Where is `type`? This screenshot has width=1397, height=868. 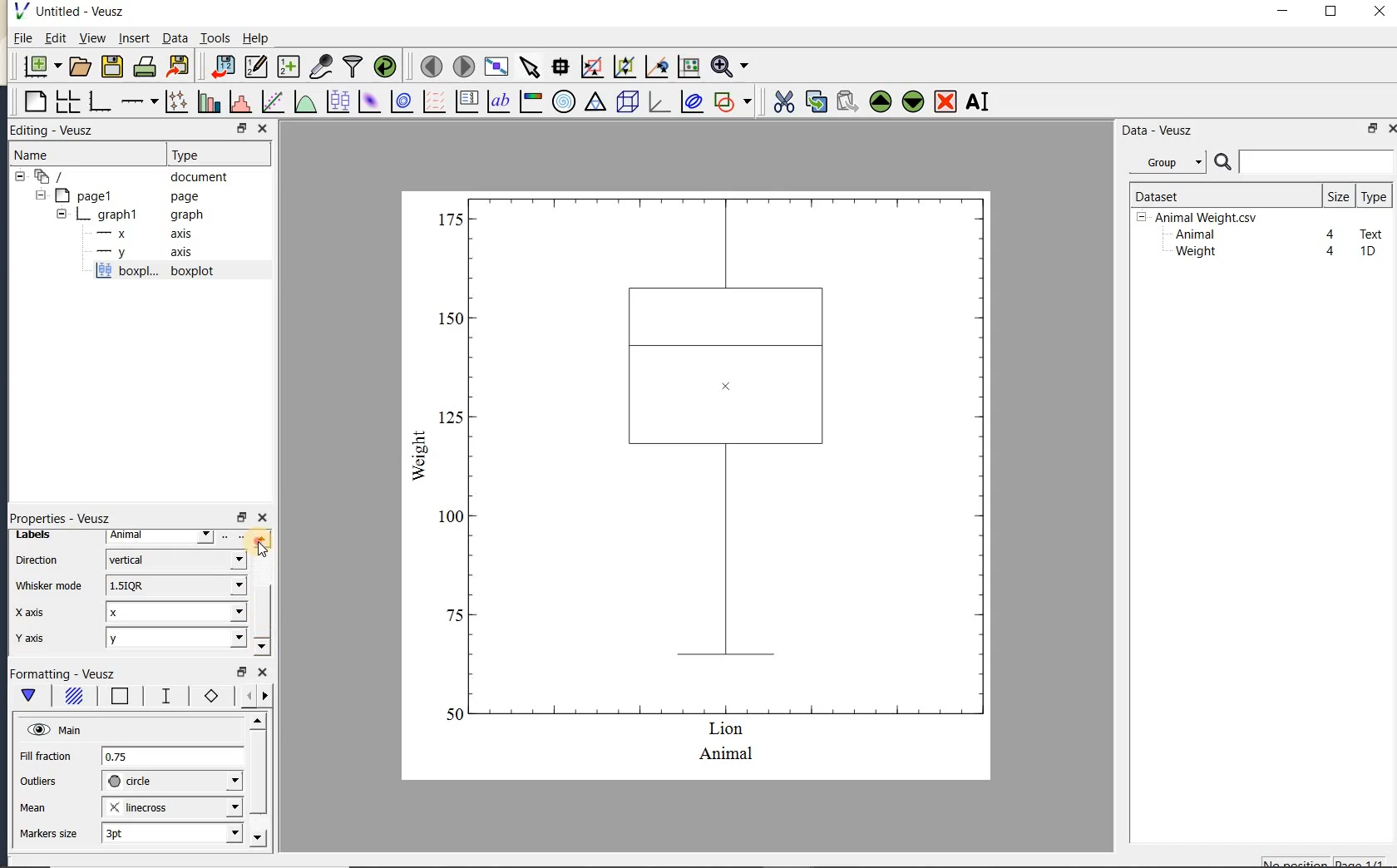
type is located at coordinates (1373, 196).